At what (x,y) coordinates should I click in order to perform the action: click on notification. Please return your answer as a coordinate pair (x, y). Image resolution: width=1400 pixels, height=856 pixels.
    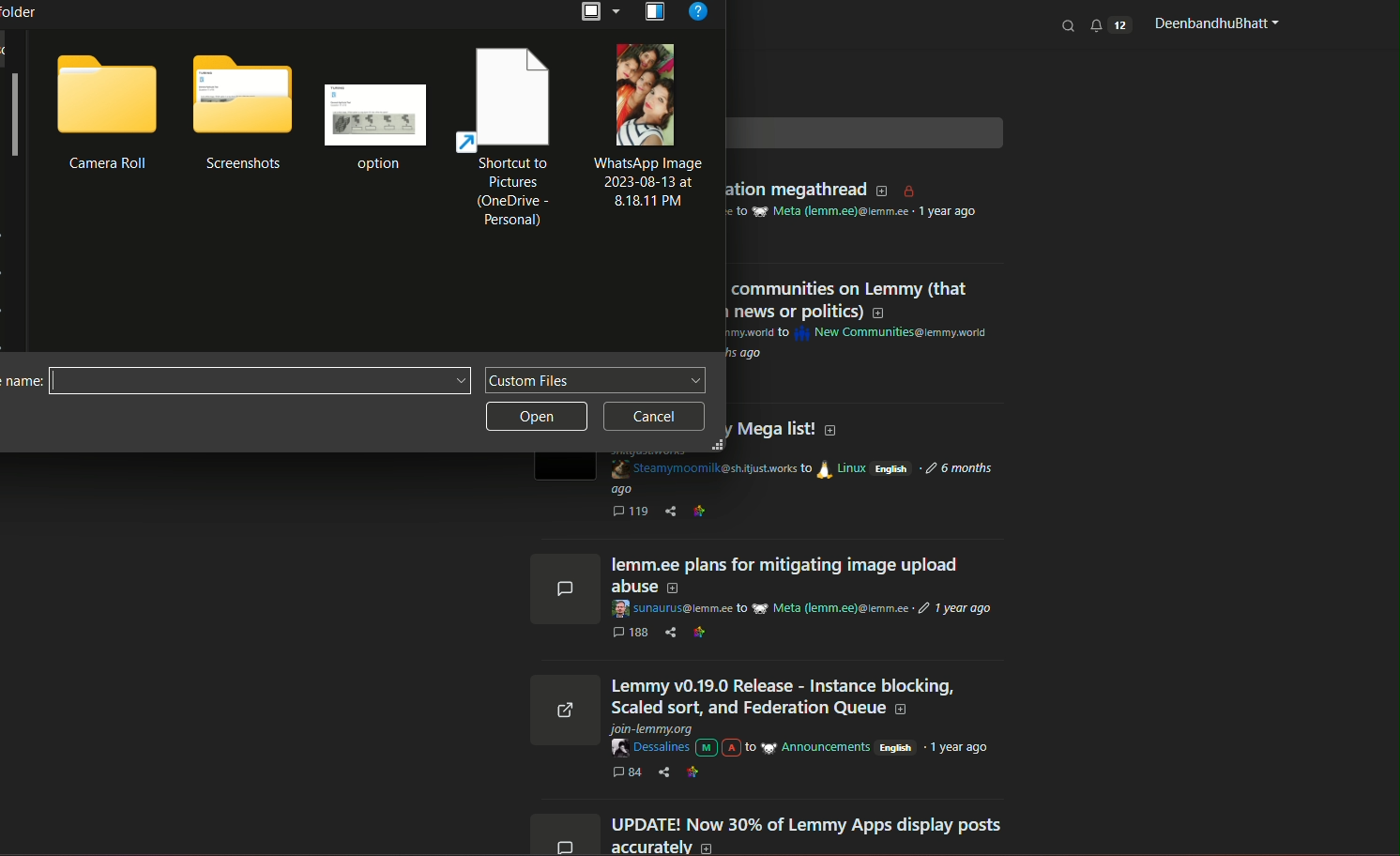
    Looking at the image, I should click on (1110, 24).